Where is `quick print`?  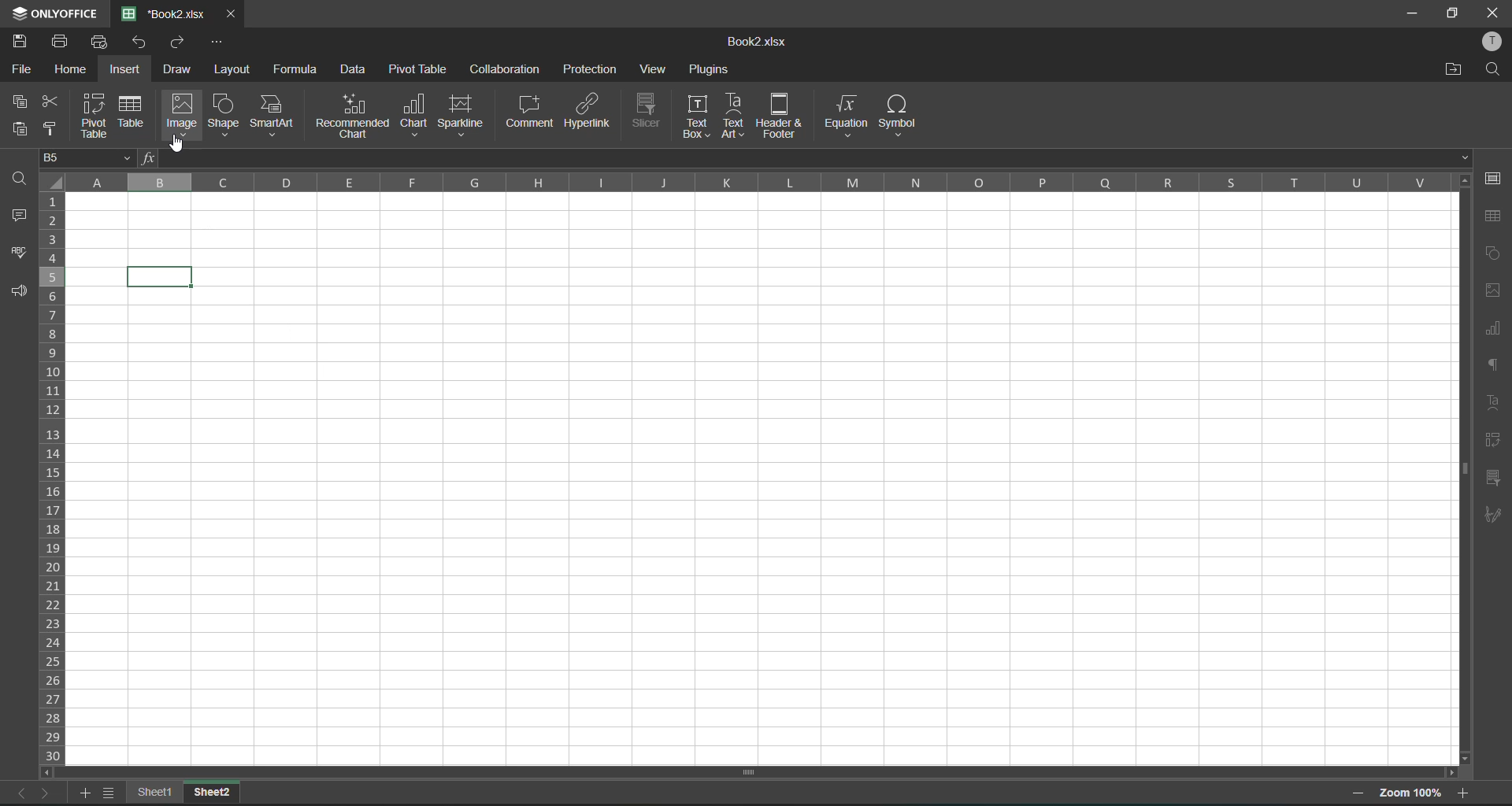
quick print is located at coordinates (102, 40).